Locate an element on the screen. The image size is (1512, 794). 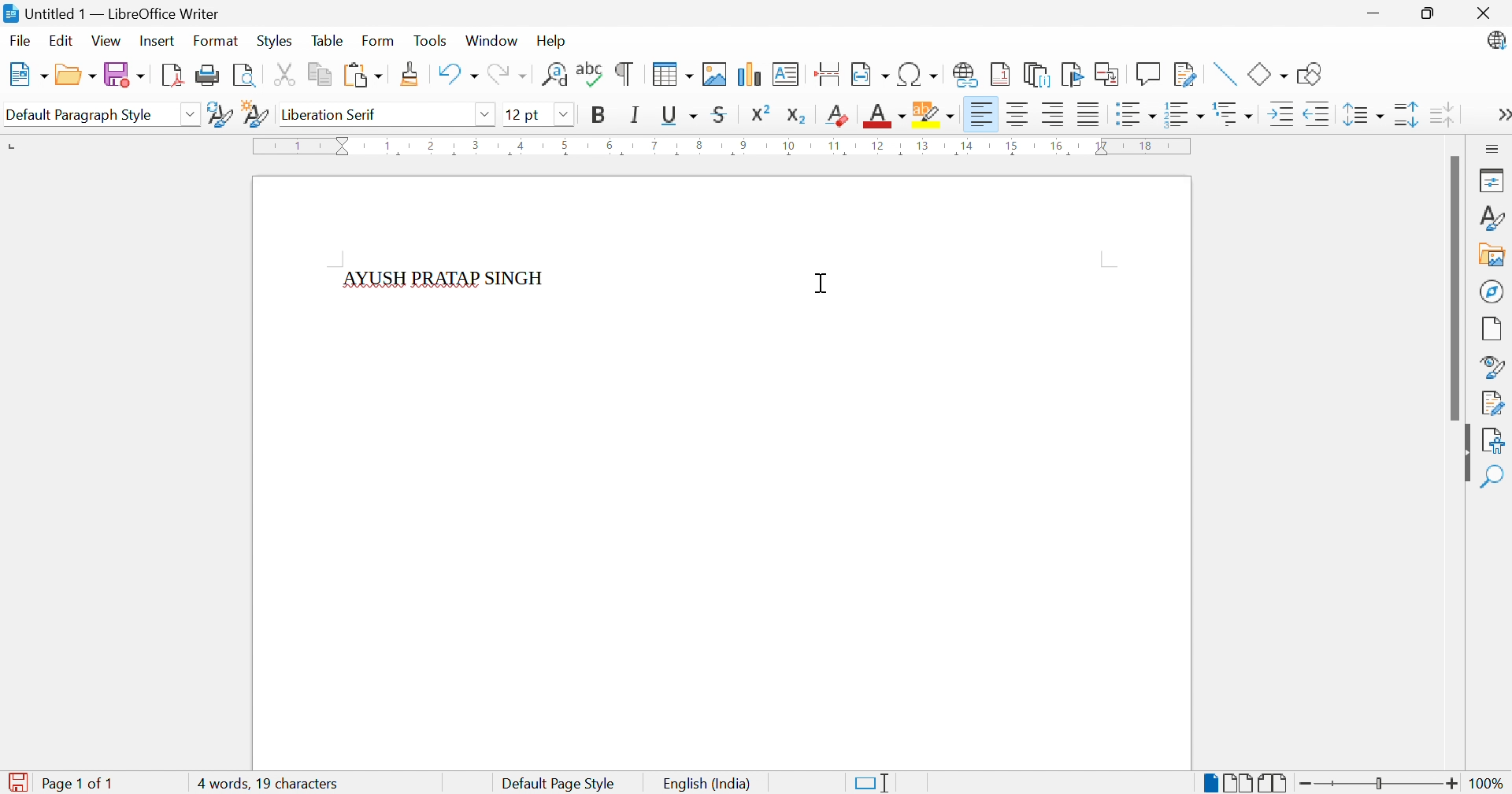
New is located at coordinates (26, 74).